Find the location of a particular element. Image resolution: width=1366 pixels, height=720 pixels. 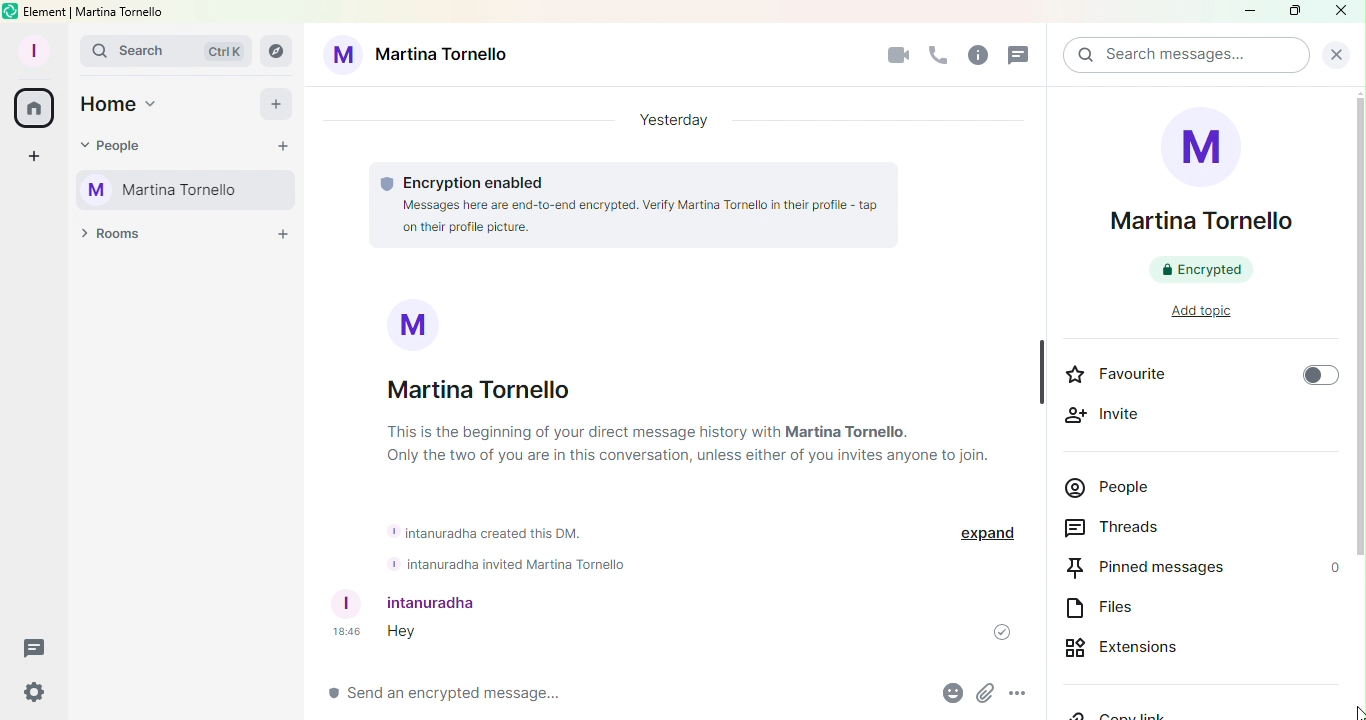

Files is located at coordinates (1118, 604).